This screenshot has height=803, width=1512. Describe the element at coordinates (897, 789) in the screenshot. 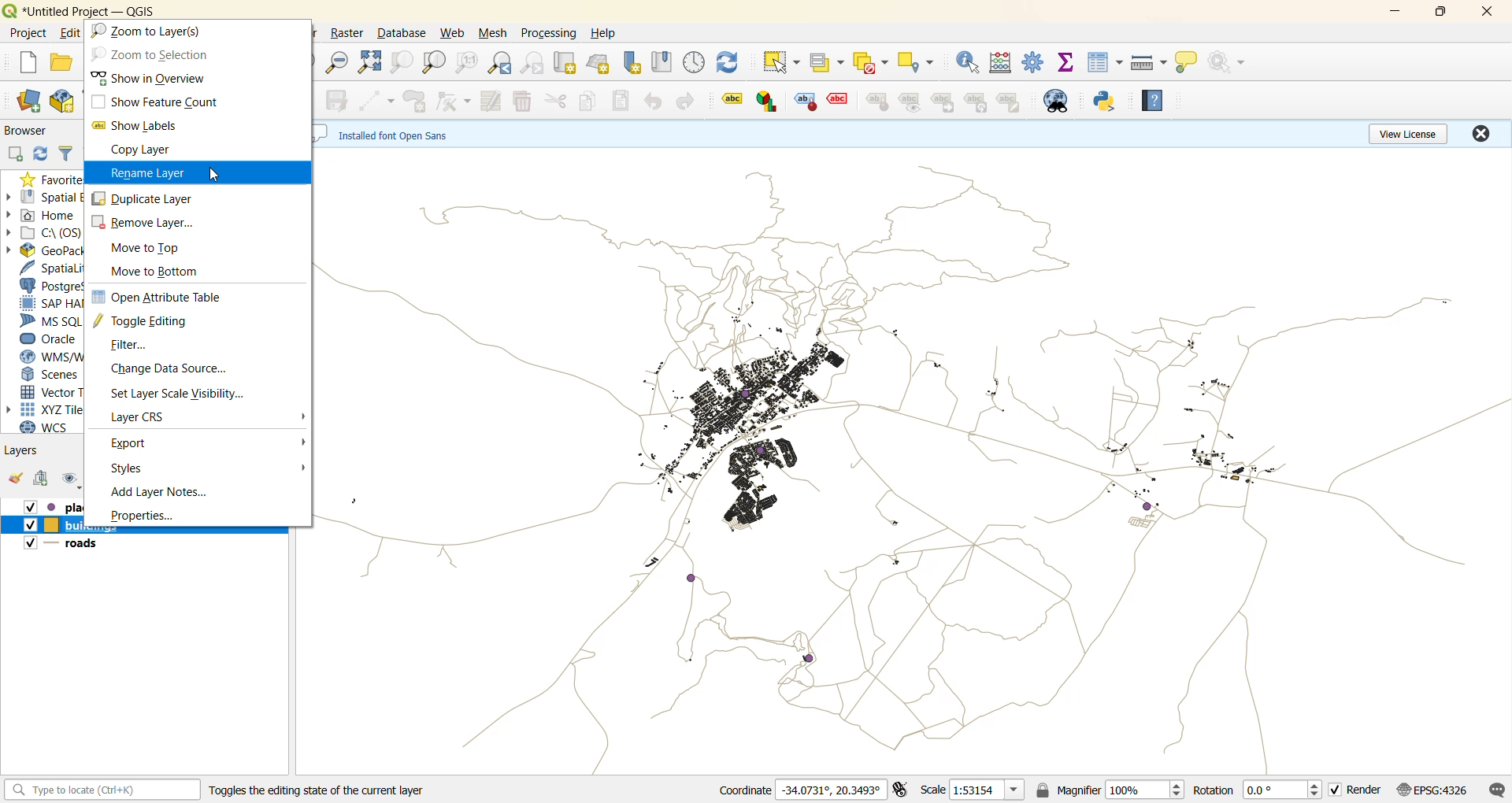

I see `toggle extents` at that location.